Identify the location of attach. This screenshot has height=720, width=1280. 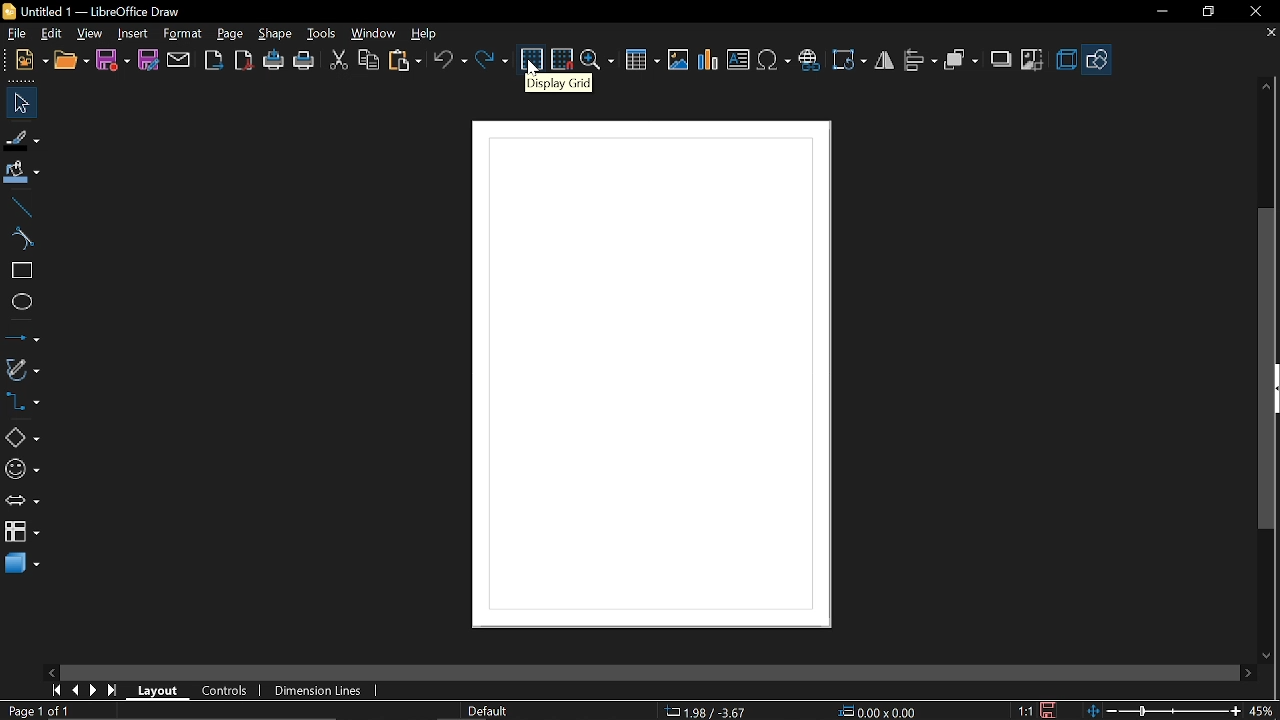
(180, 61).